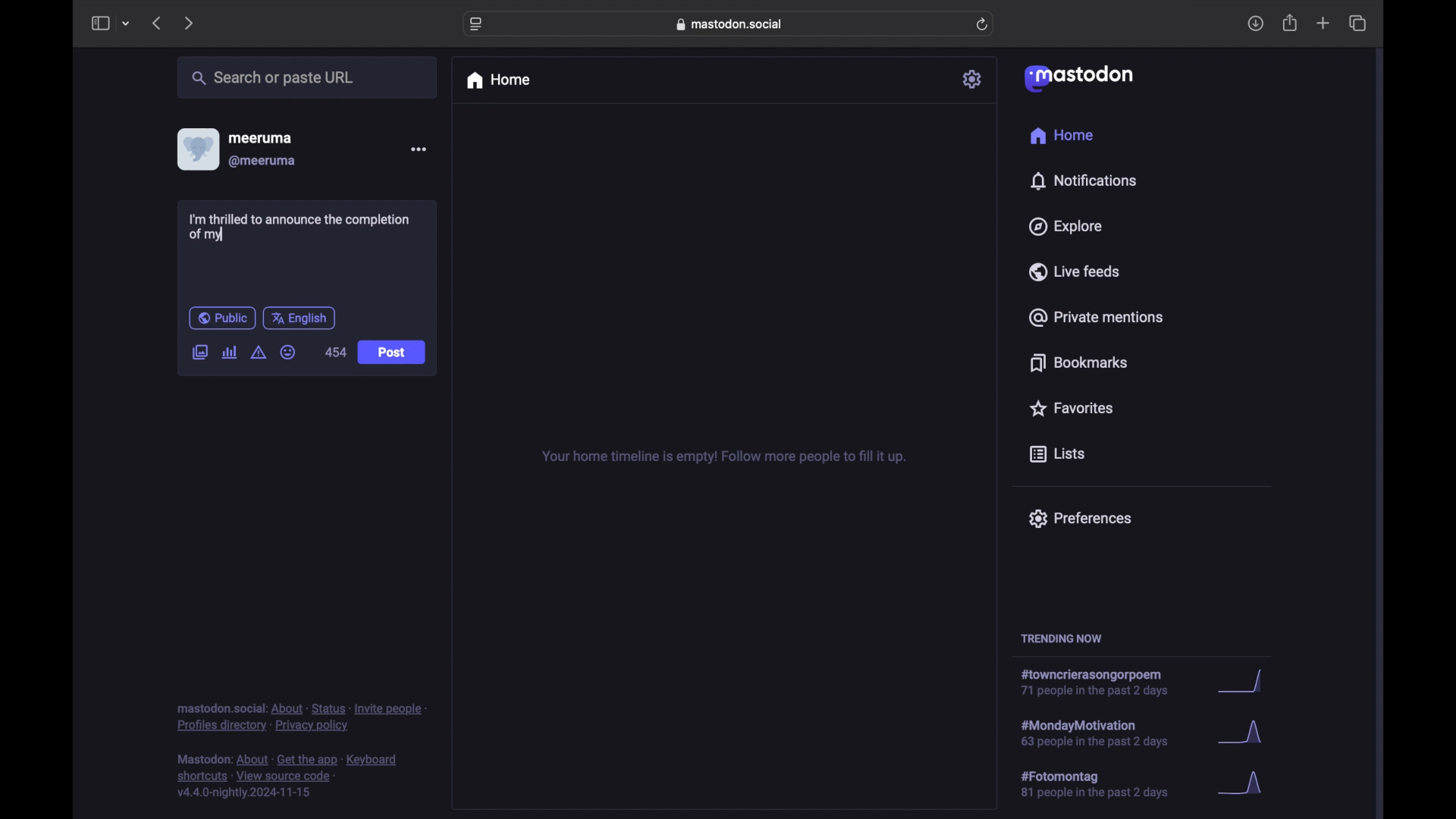  Describe the element at coordinates (1291, 23) in the screenshot. I see `share` at that location.